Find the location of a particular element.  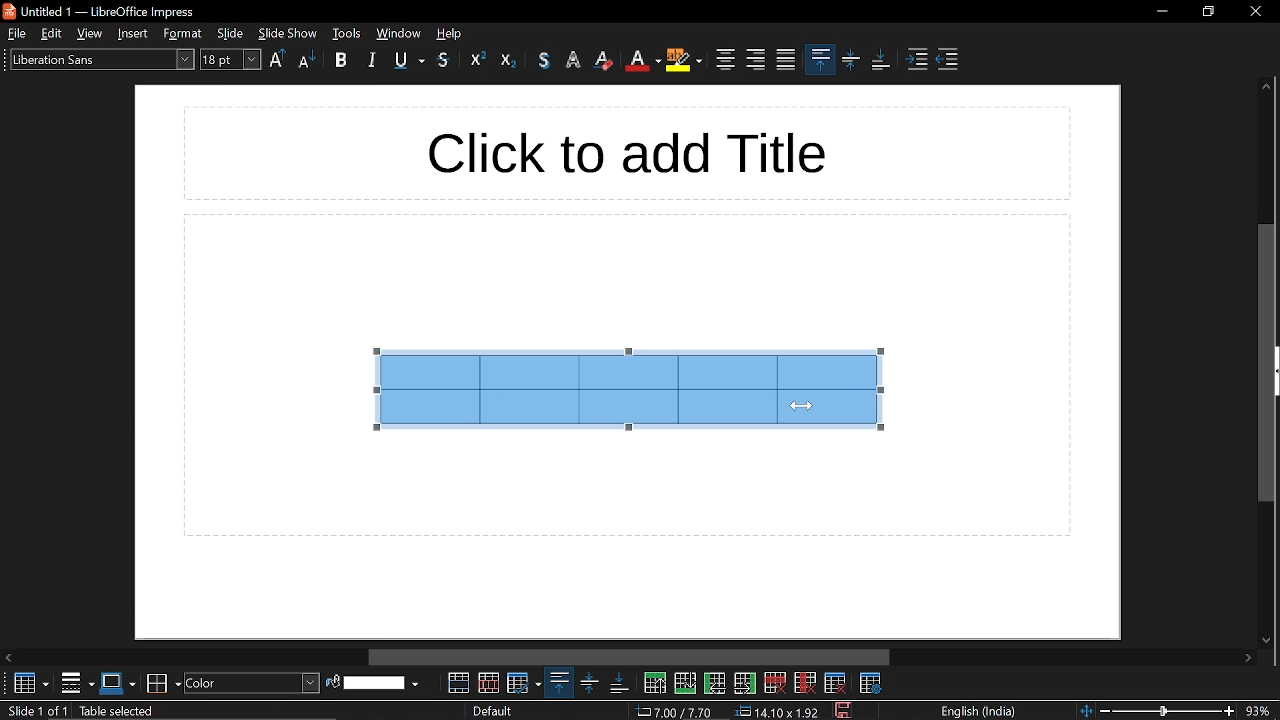

merge cells is located at coordinates (460, 683).